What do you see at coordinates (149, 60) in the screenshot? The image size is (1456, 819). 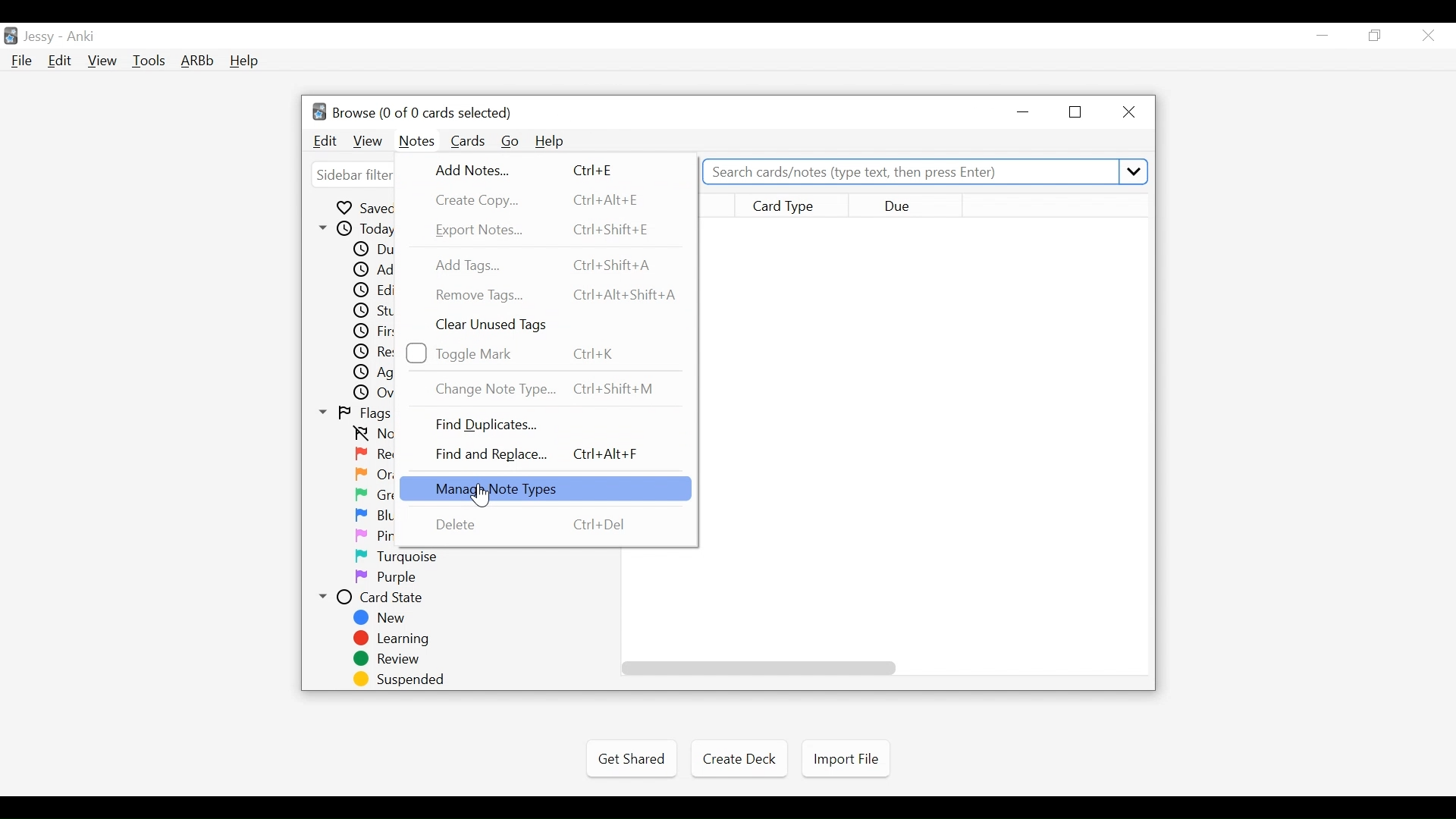 I see `Tools` at bounding box center [149, 60].